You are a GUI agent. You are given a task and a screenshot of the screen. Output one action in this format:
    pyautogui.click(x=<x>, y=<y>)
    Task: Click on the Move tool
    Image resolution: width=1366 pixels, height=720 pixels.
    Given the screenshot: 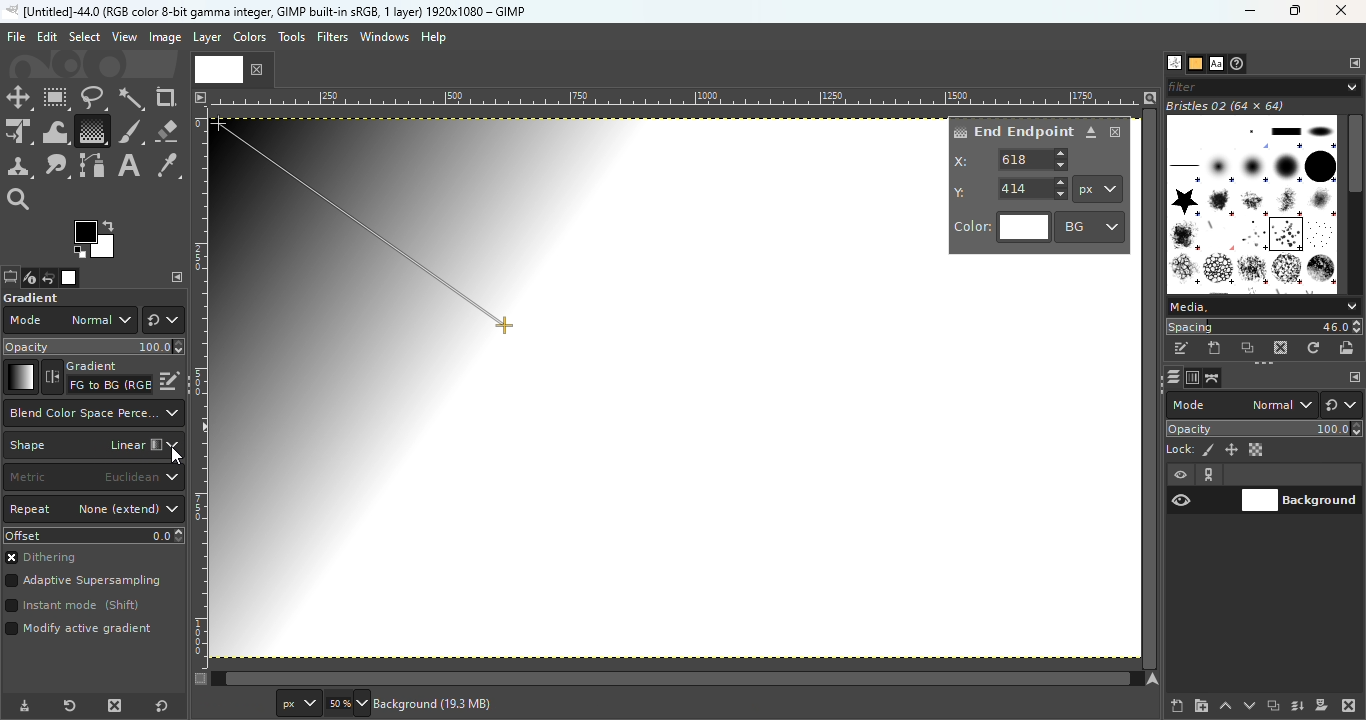 What is the action you would take?
    pyautogui.click(x=19, y=98)
    